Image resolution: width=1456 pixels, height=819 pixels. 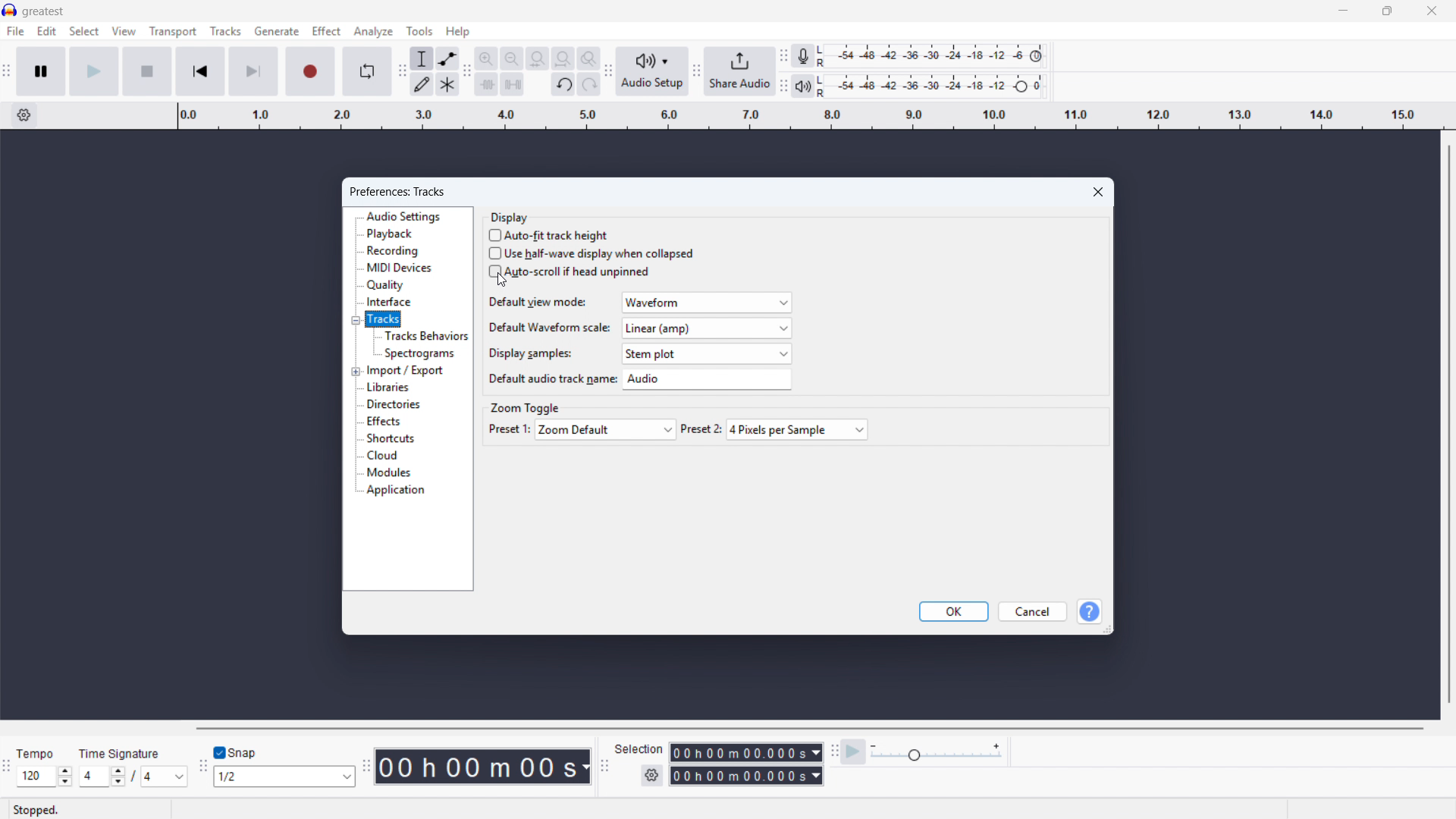 I want to click on Shortcuts , so click(x=392, y=438).